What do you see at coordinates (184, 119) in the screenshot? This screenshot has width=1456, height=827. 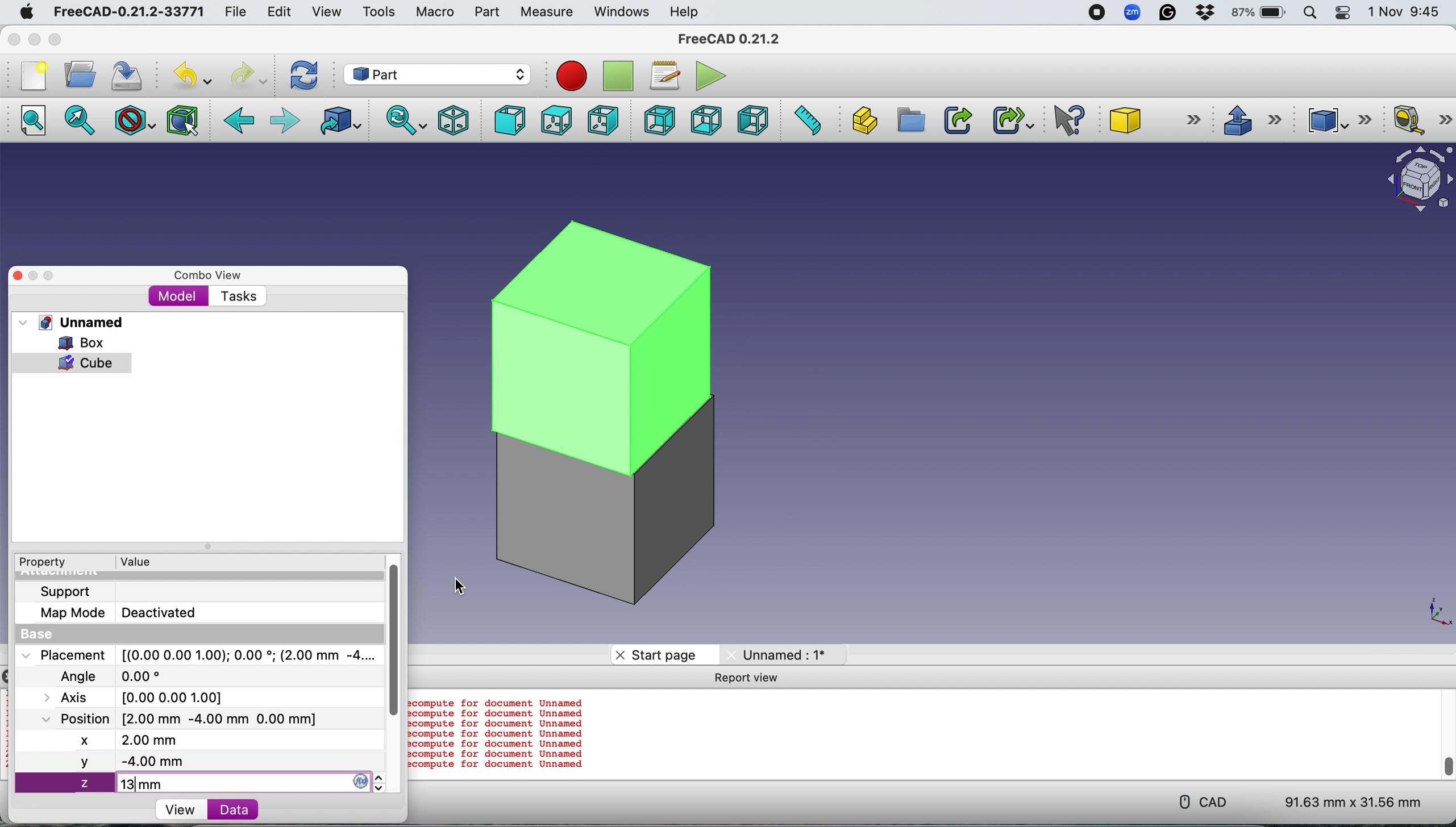 I see `Bounding box` at bounding box center [184, 119].